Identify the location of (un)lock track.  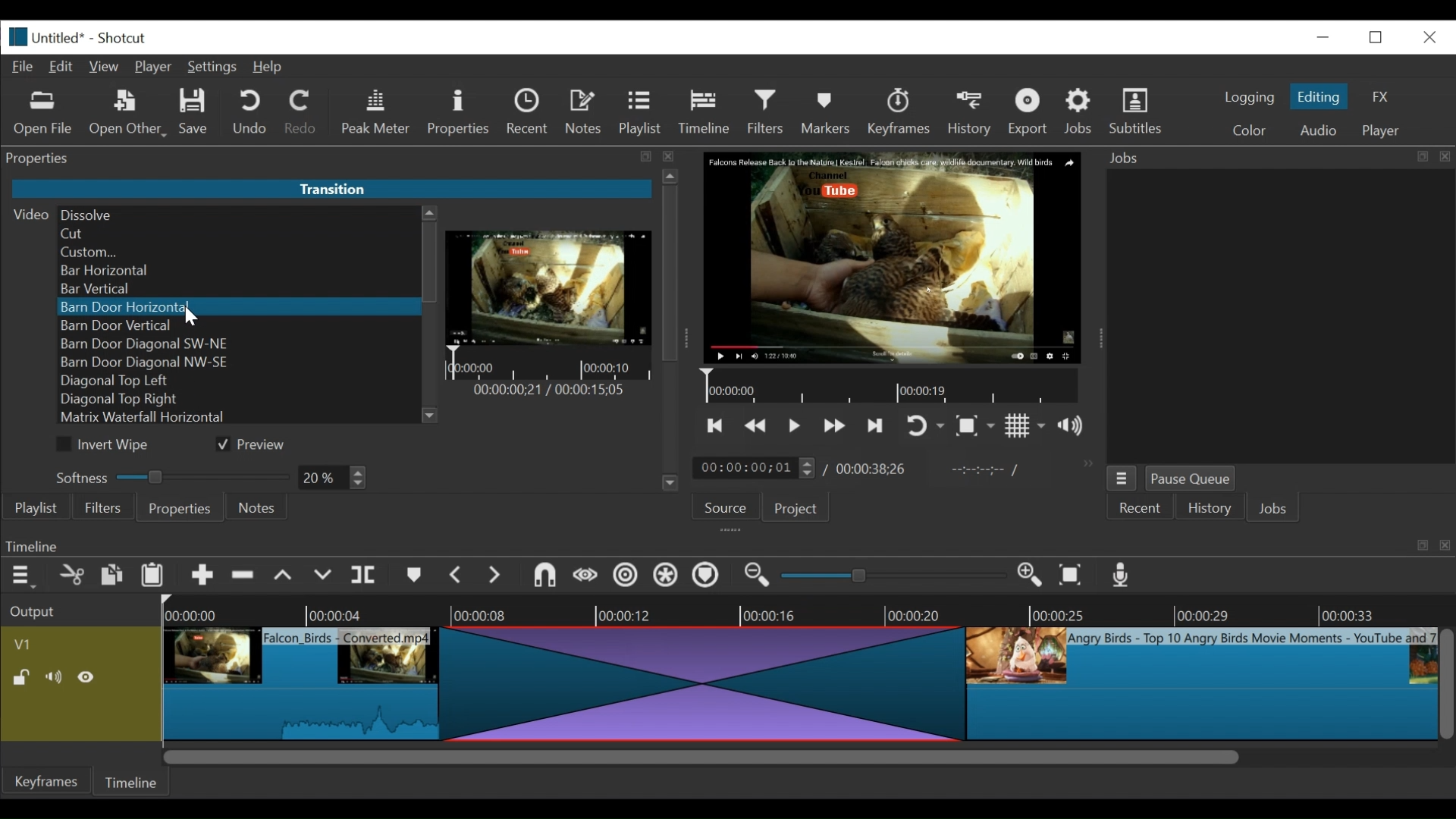
(21, 677).